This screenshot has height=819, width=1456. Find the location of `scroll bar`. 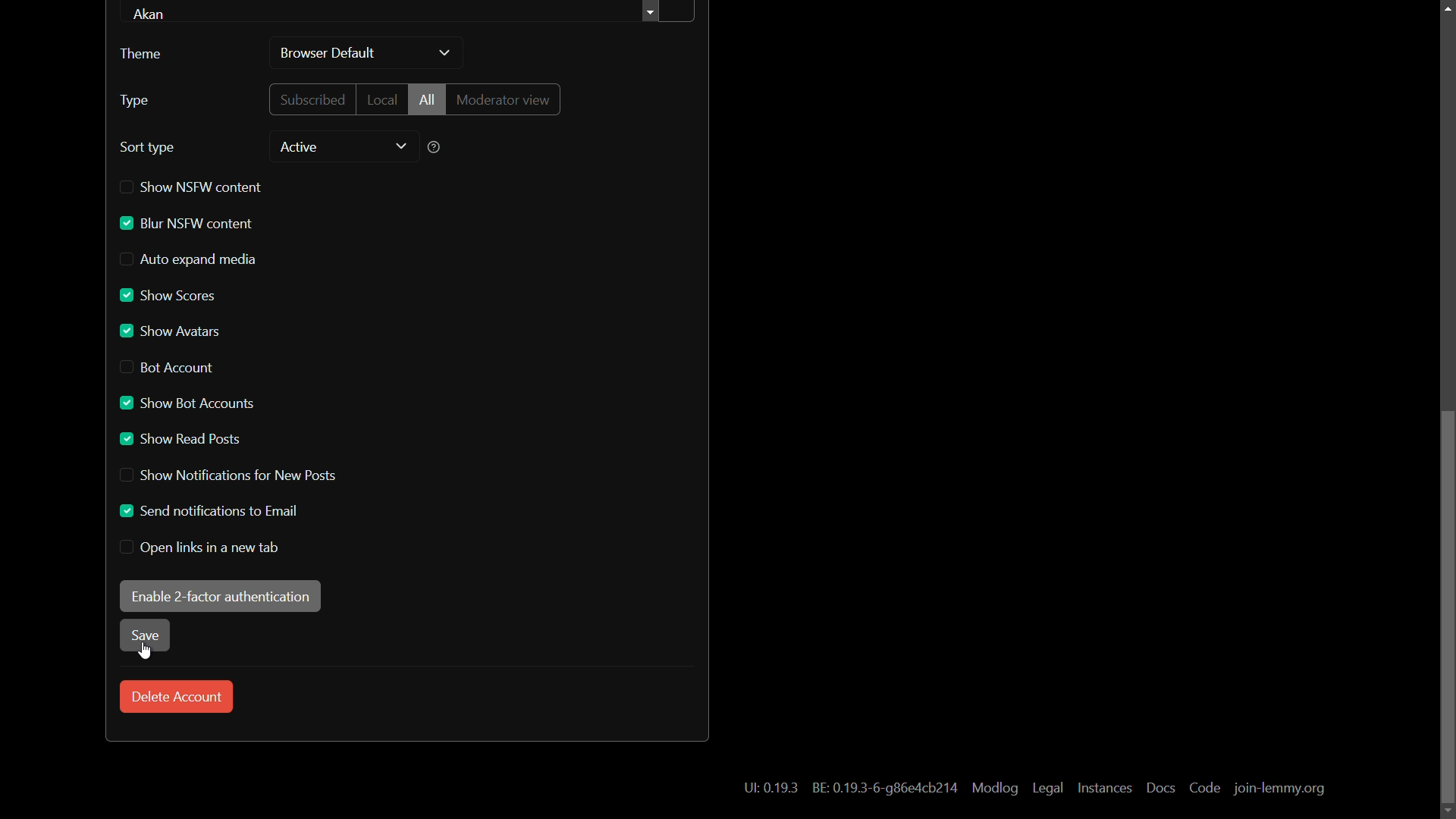

scroll bar is located at coordinates (1447, 608).